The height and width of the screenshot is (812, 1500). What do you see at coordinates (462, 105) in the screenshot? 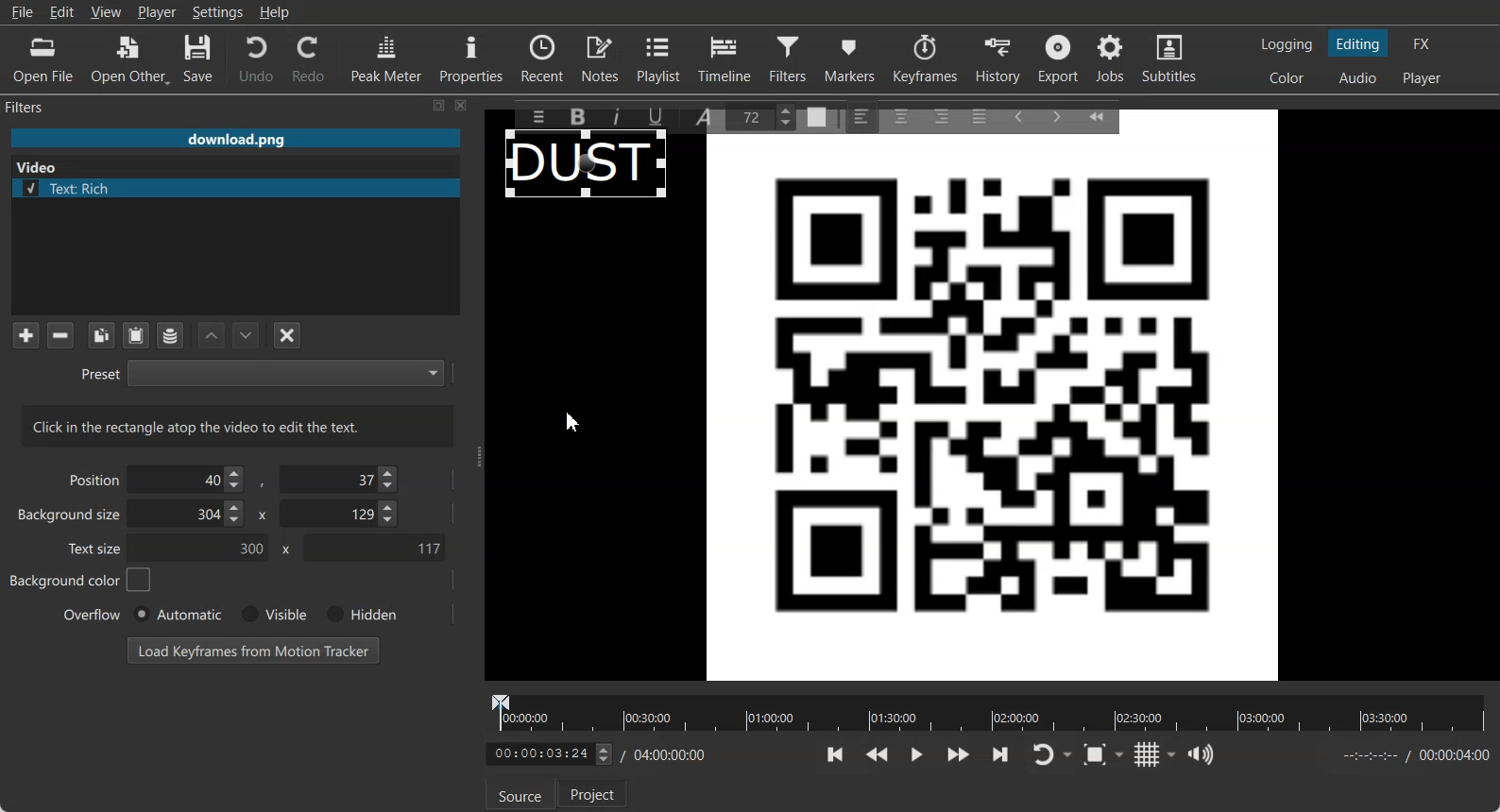
I see `Close` at bounding box center [462, 105].